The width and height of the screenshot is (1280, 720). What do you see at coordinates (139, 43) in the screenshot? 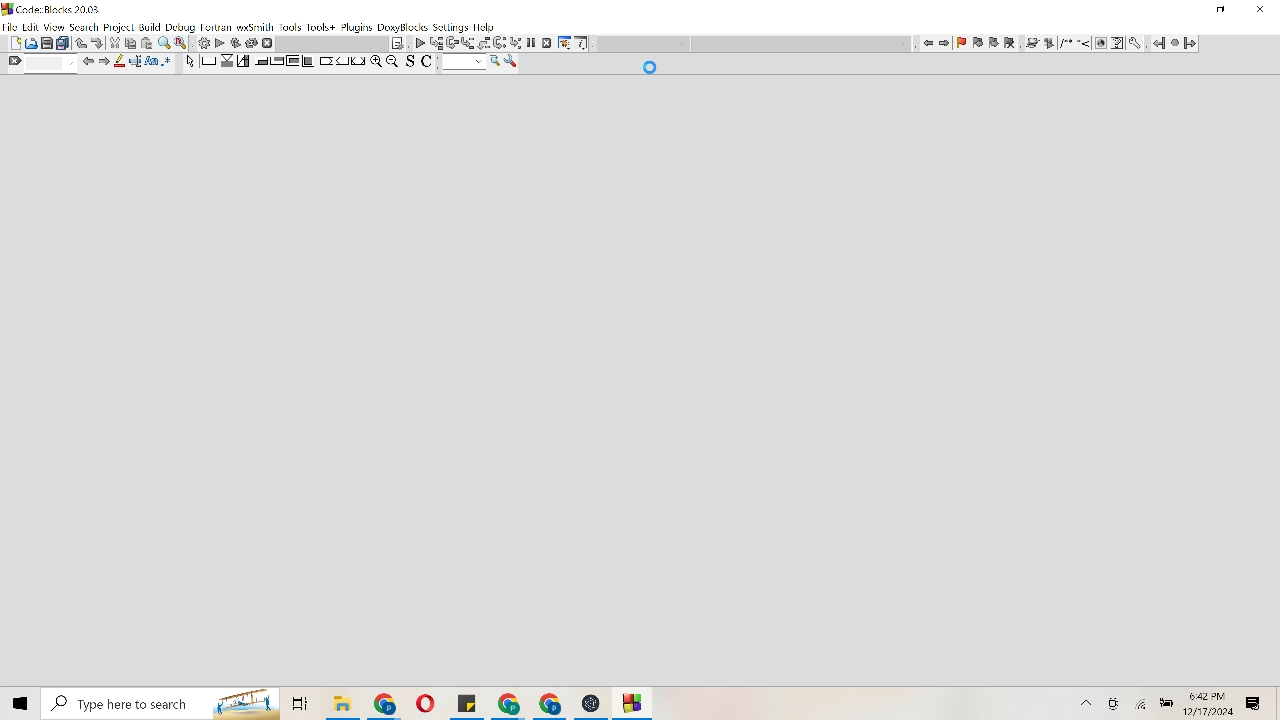
I see `Cut` at bounding box center [139, 43].